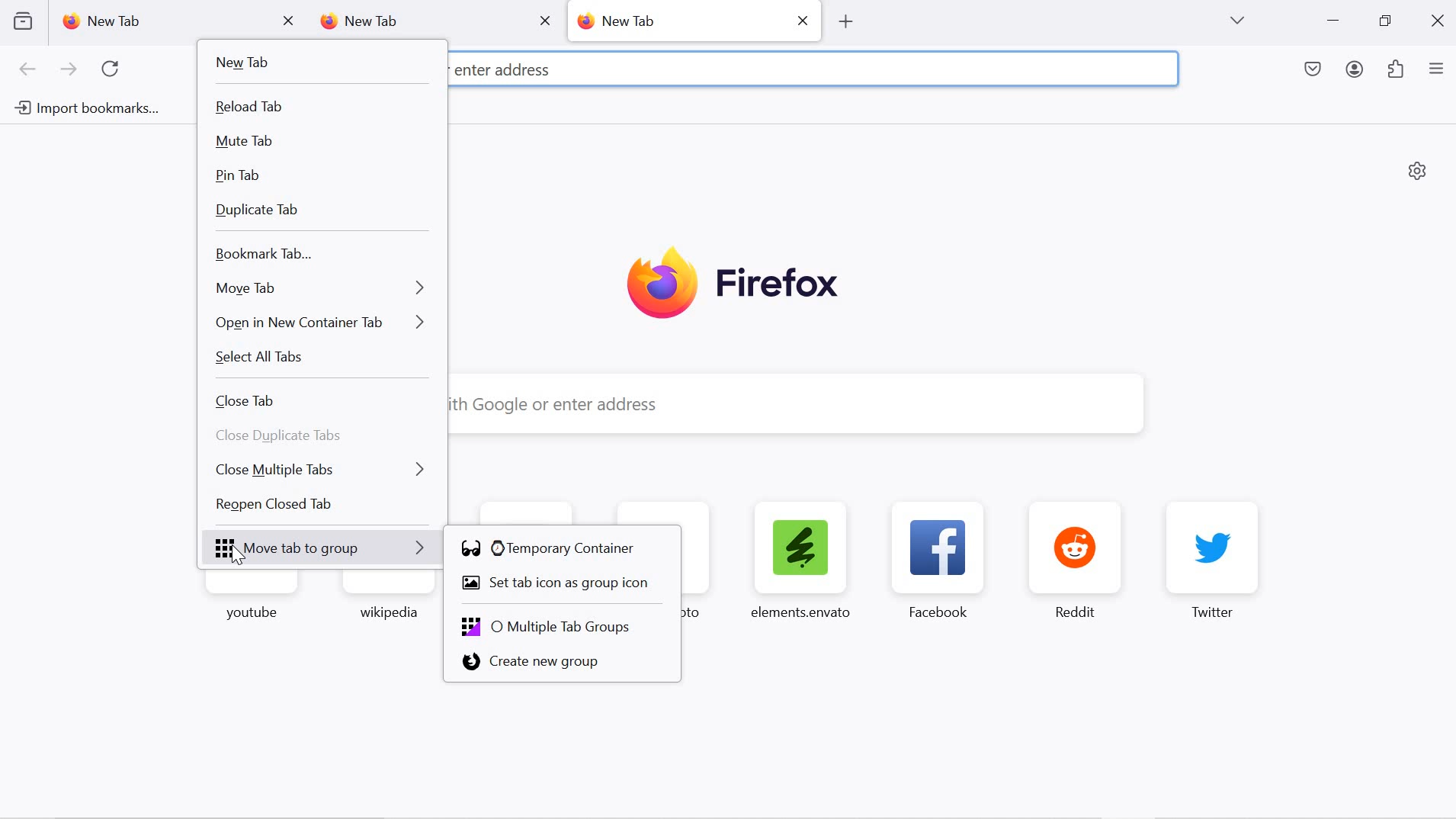 Image resolution: width=1456 pixels, height=819 pixels. I want to click on personalize new tab, so click(1418, 170).